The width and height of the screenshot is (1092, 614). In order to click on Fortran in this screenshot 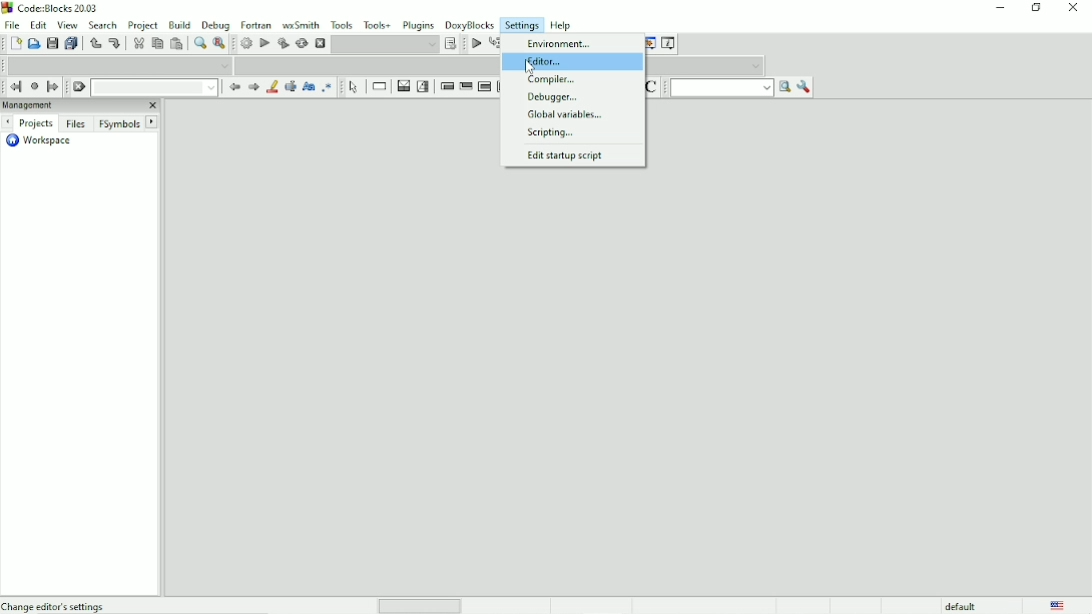, I will do `click(255, 23)`.